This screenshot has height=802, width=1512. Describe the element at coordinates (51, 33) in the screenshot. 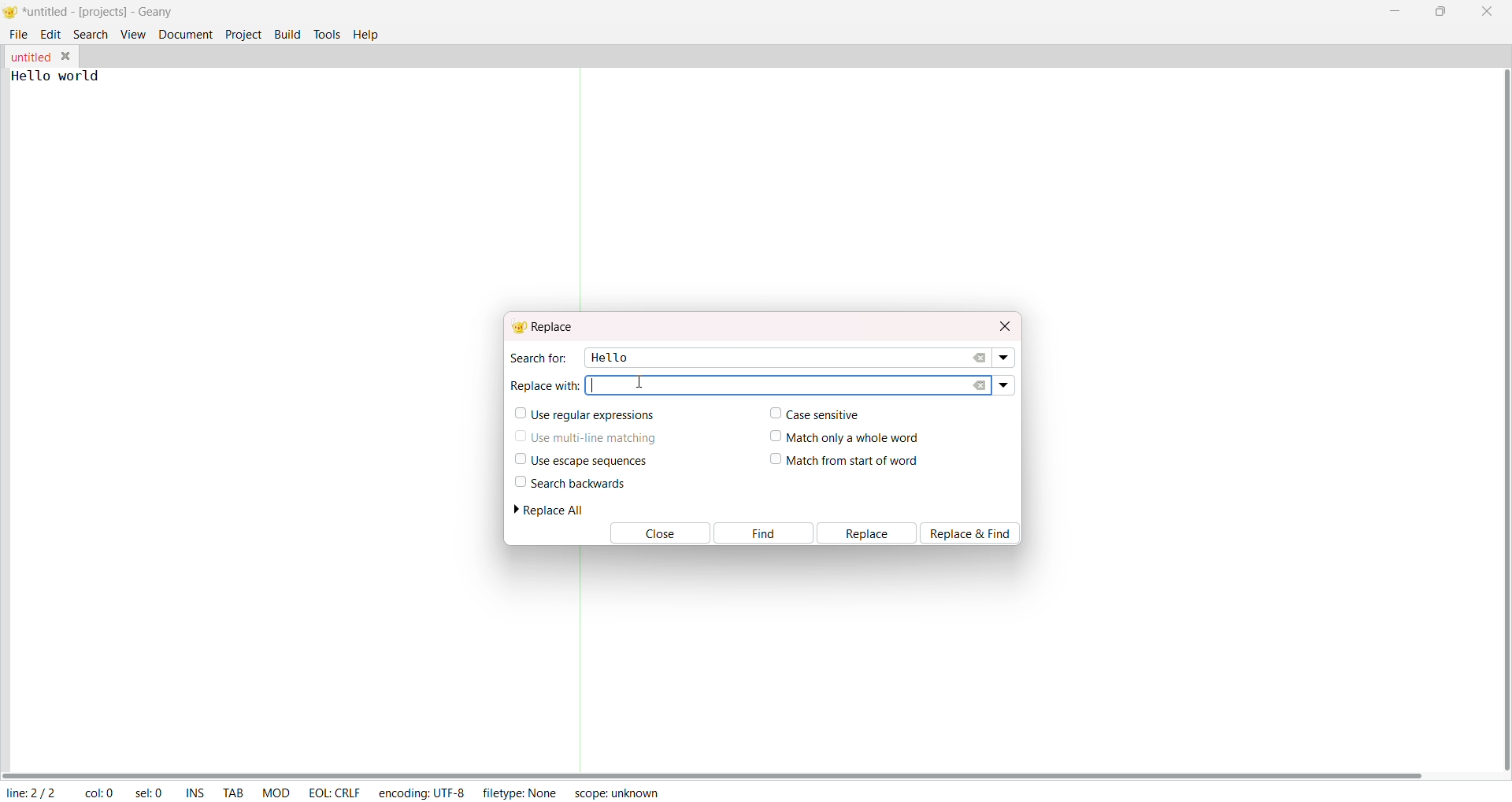

I see `edit` at that location.